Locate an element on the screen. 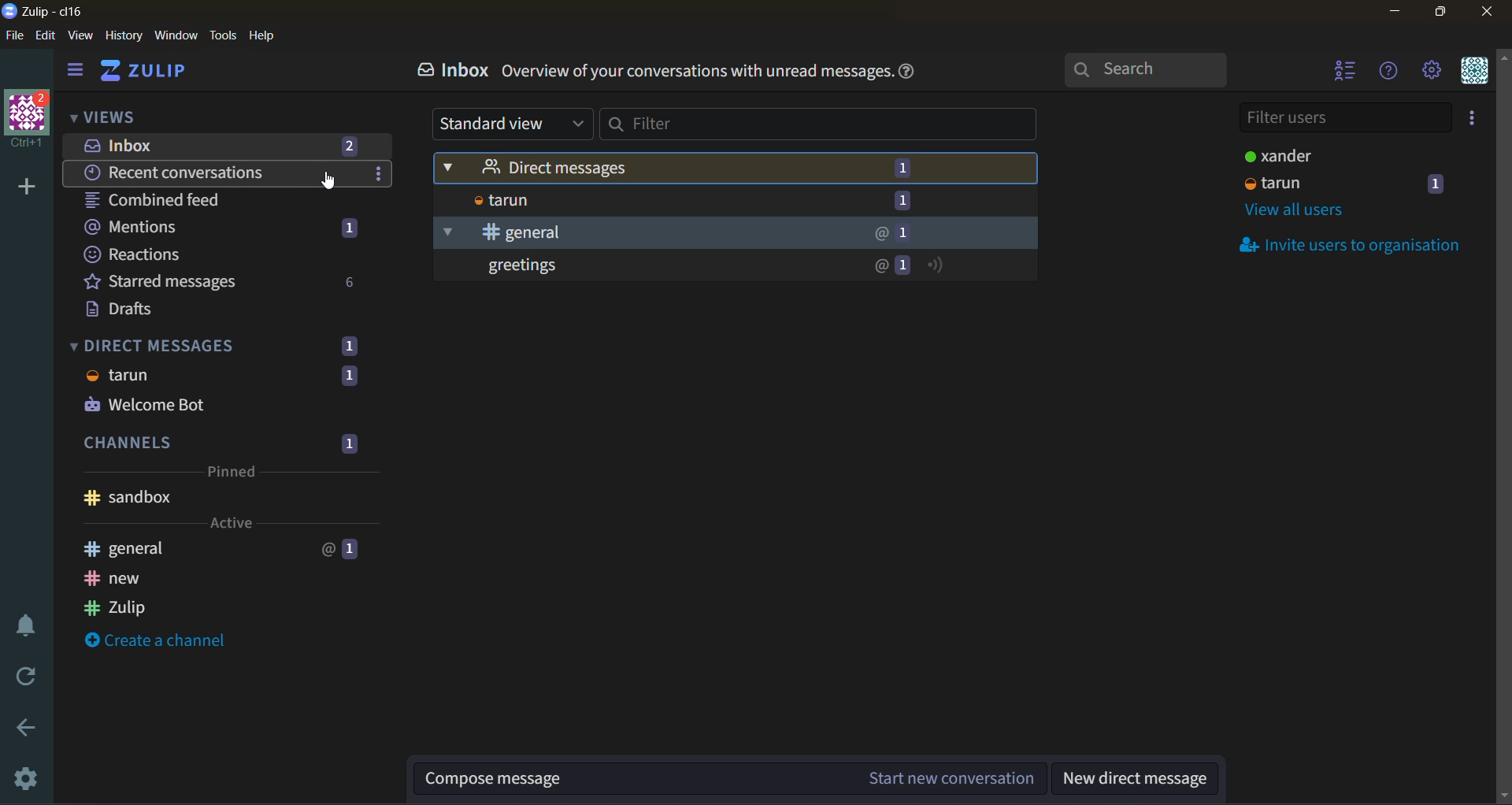 The width and height of the screenshot is (1512, 805). @ is located at coordinates (879, 233).